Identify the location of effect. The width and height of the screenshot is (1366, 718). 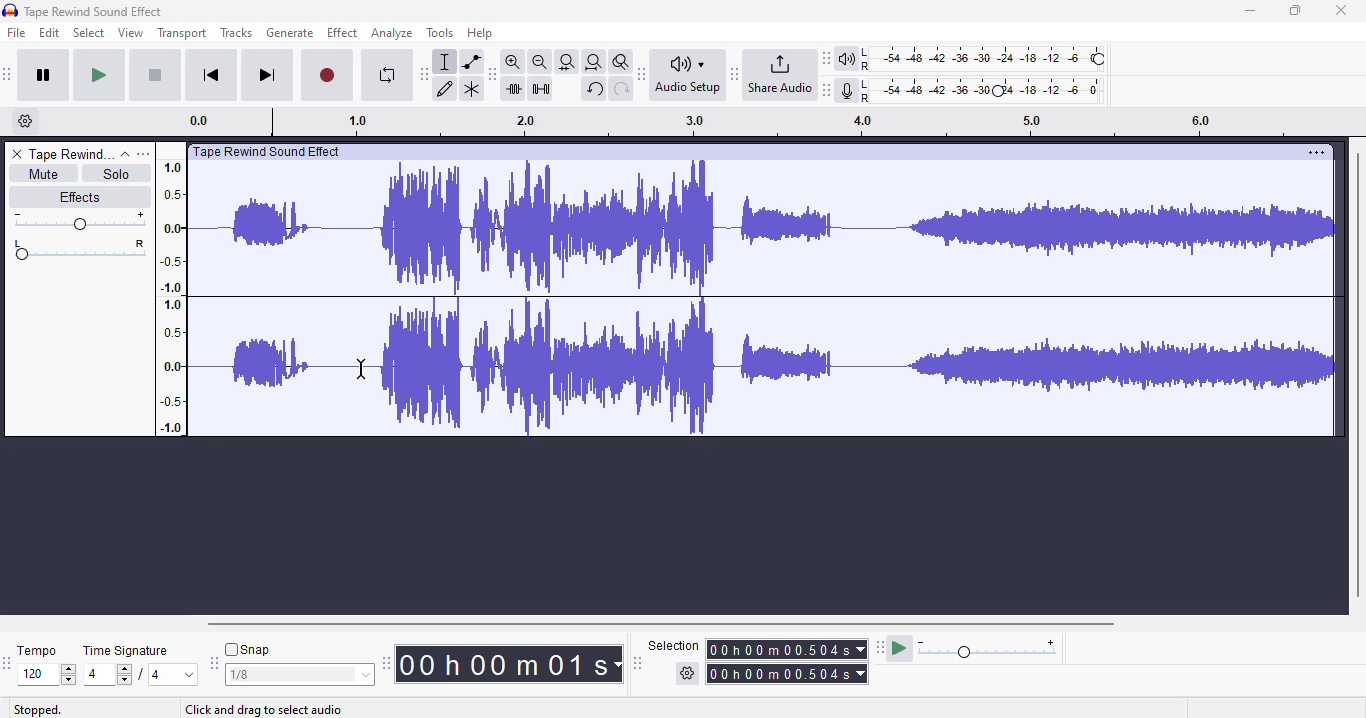
(343, 33).